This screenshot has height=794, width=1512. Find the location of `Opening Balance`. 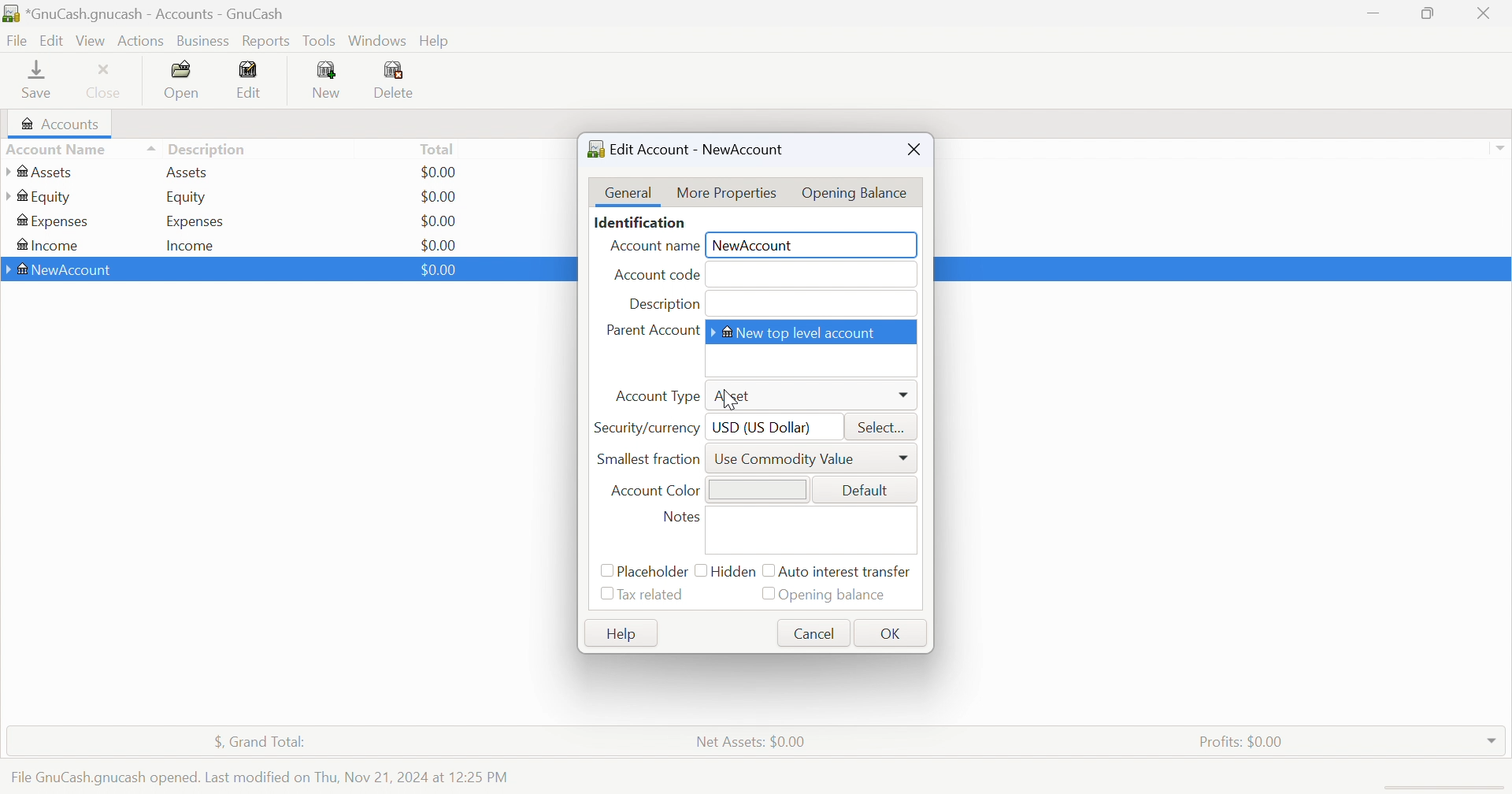

Opening Balance is located at coordinates (839, 595).